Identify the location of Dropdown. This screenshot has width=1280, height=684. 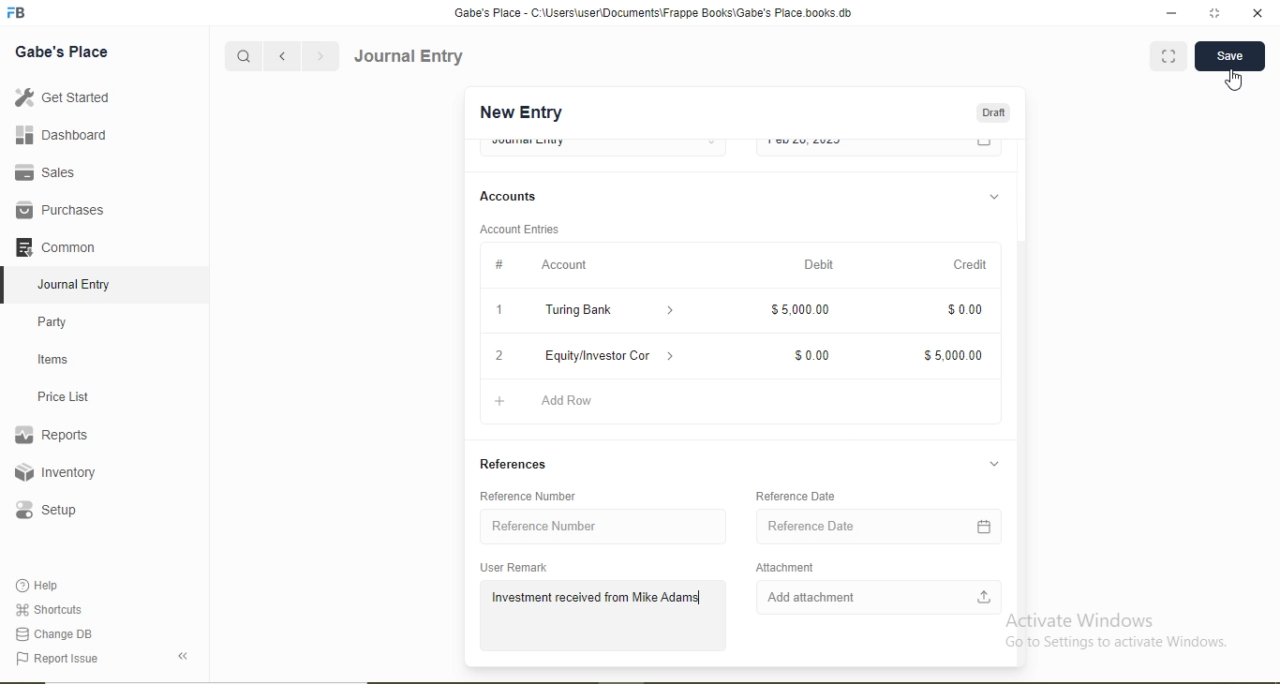
(993, 198).